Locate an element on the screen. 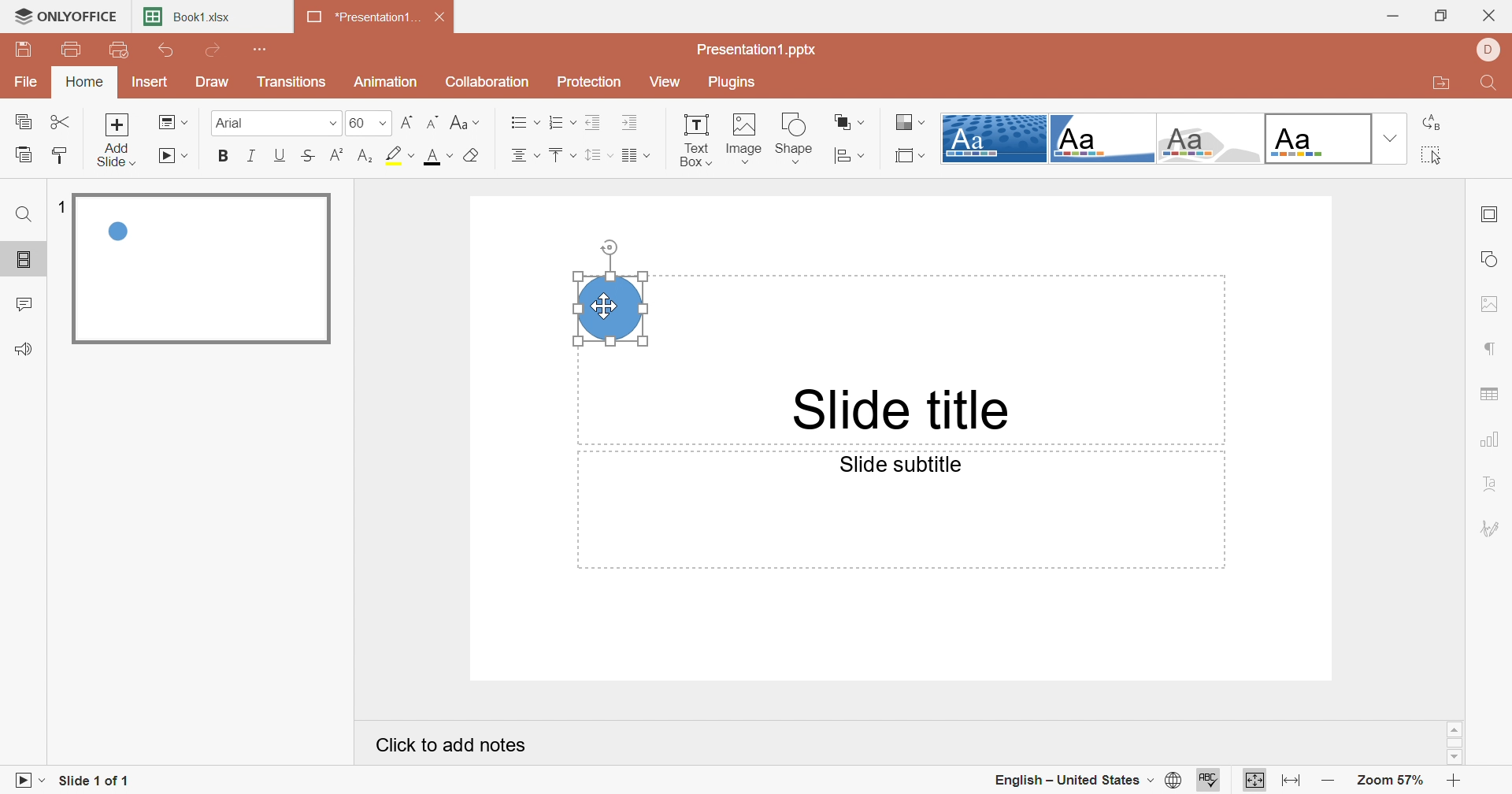 The width and height of the screenshot is (1512, 794). File is located at coordinates (28, 80).